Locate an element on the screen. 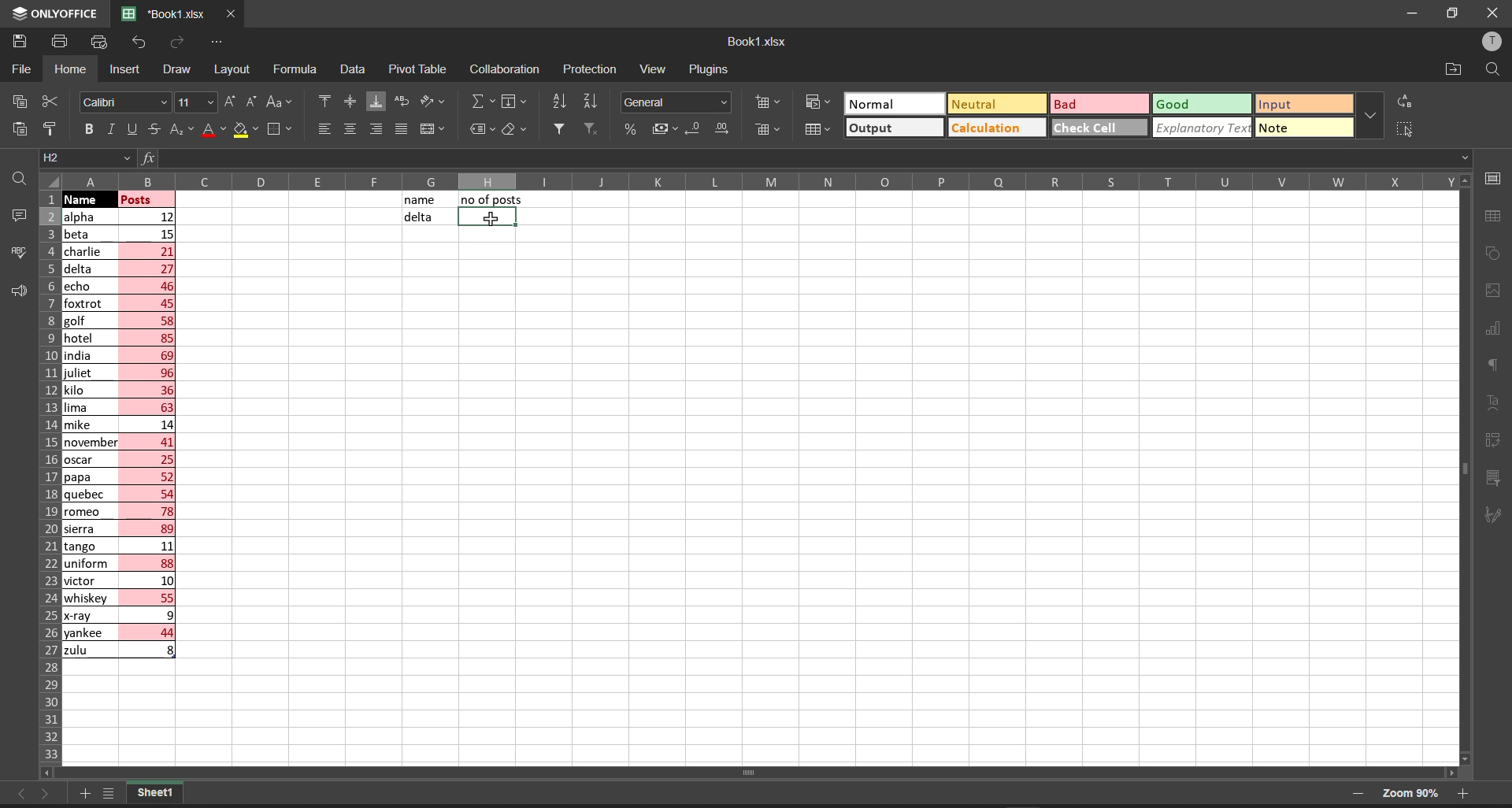 The image size is (1512, 808). underline is located at coordinates (129, 128).